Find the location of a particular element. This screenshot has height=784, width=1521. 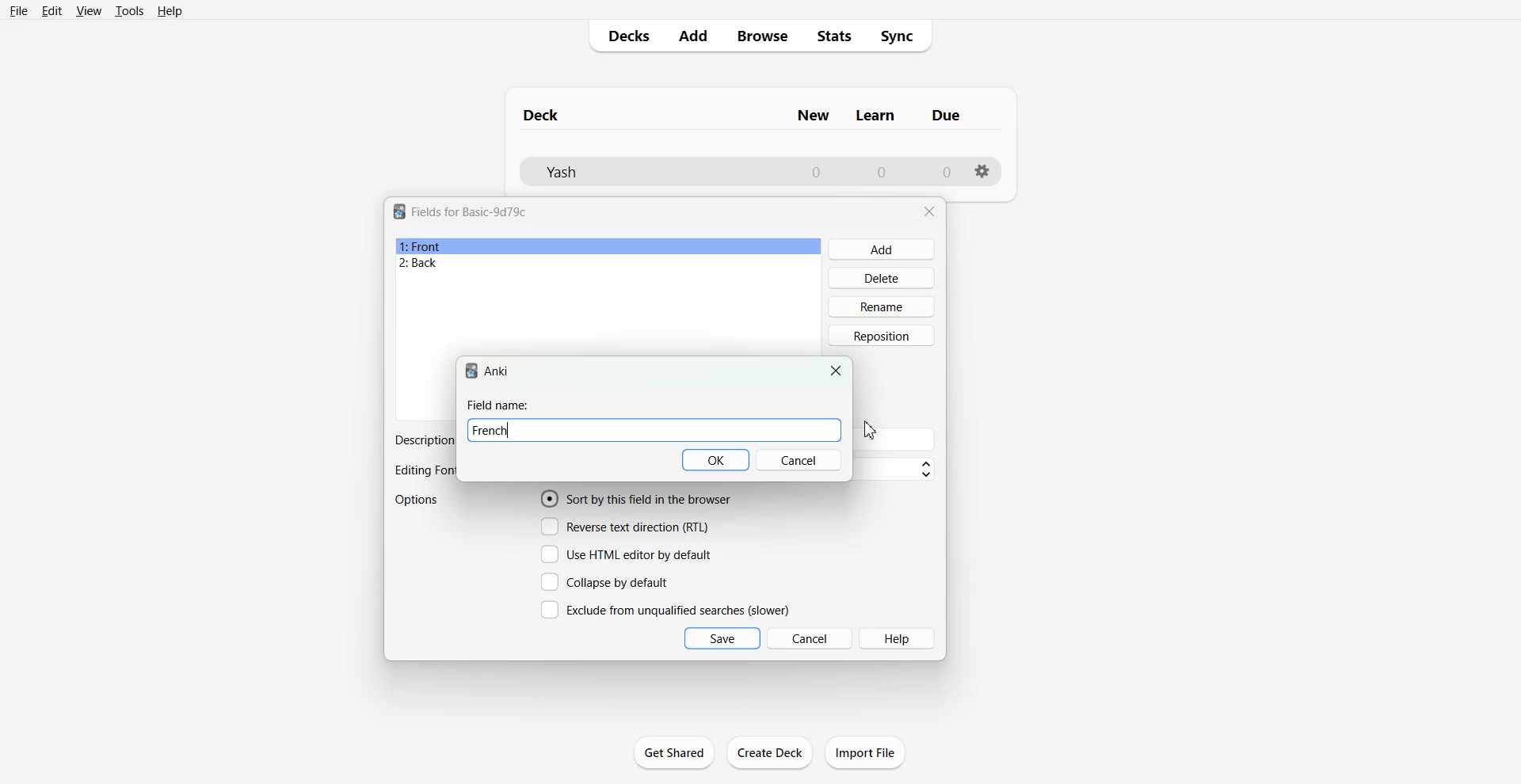

Tools is located at coordinates (129, 10).